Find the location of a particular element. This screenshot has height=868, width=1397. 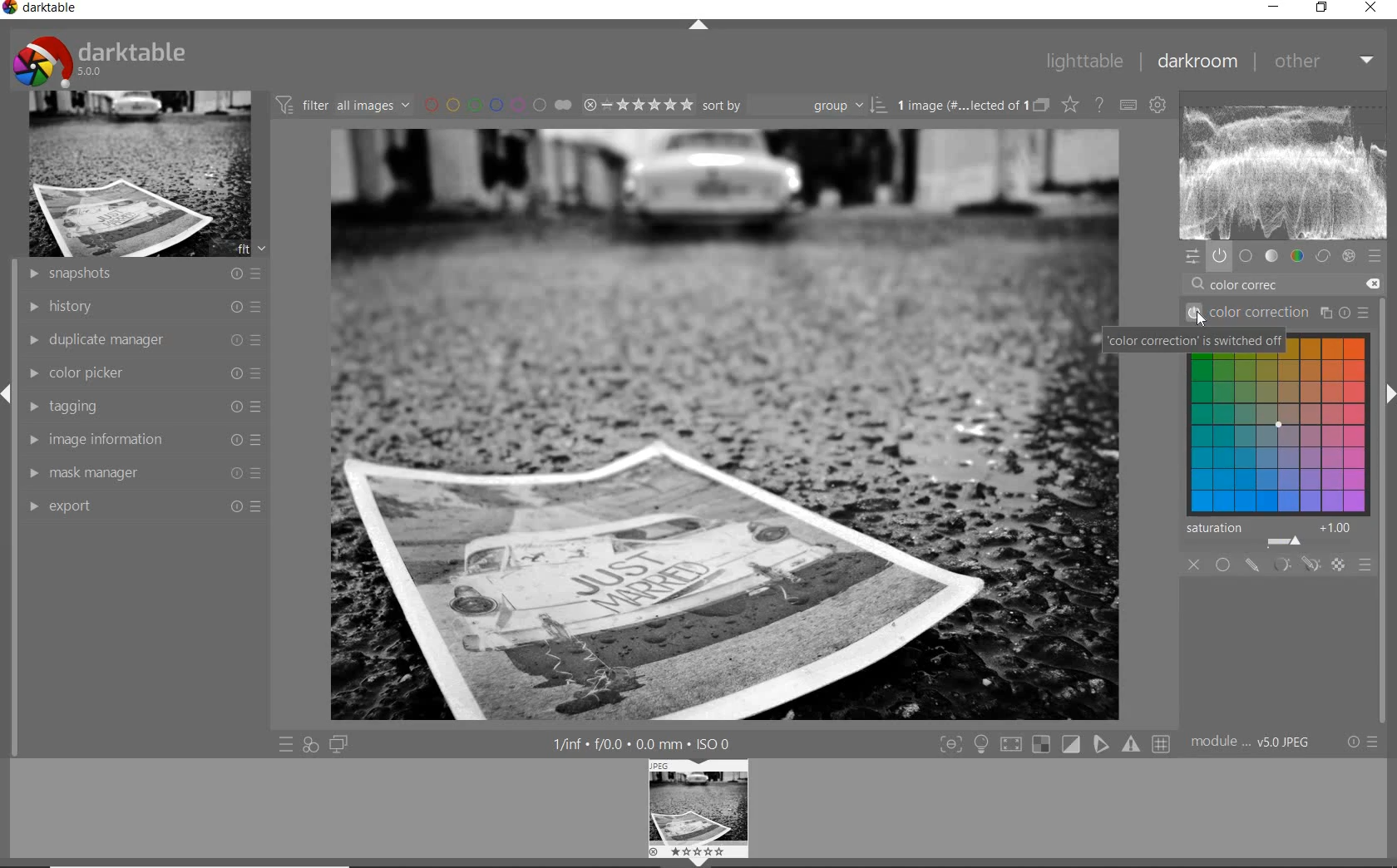

selected images is located at coordinates (962, 106).